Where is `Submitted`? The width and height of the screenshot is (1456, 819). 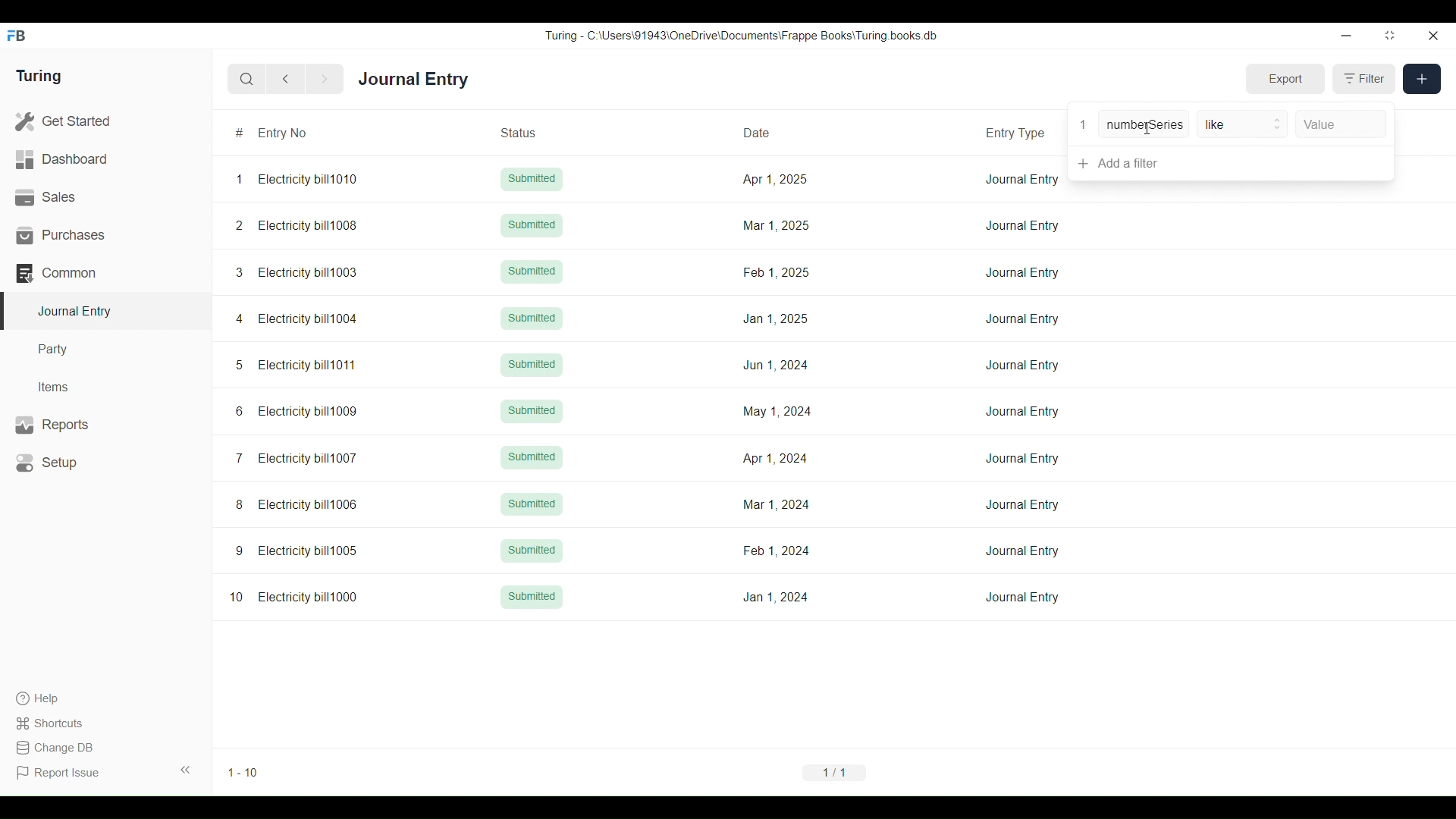
Submitted is located at coordinates (532, 457).